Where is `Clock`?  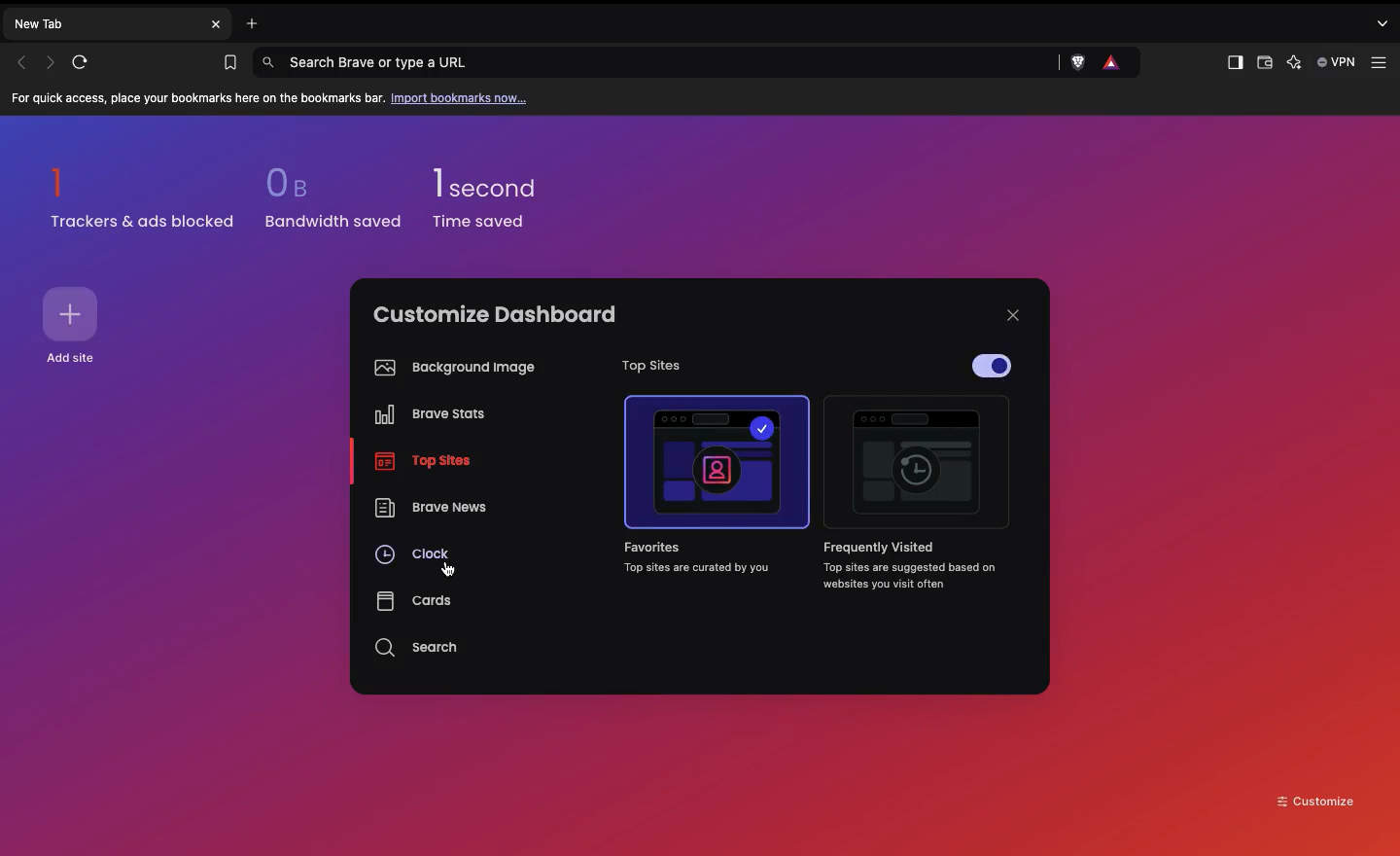 Clock is located at coordinates (414, 557).